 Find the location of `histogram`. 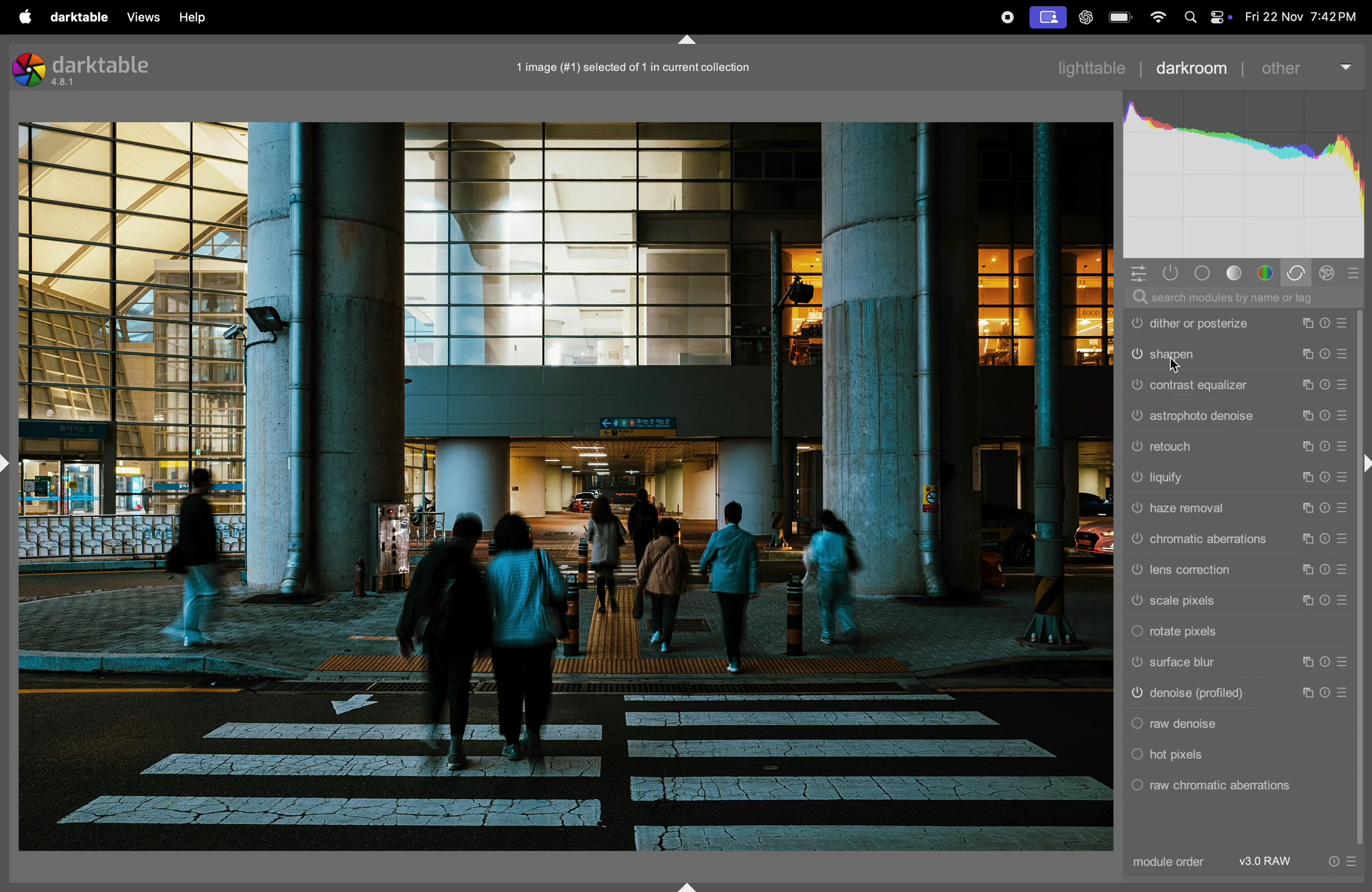

histogram is located at coordinates (1245, 171).